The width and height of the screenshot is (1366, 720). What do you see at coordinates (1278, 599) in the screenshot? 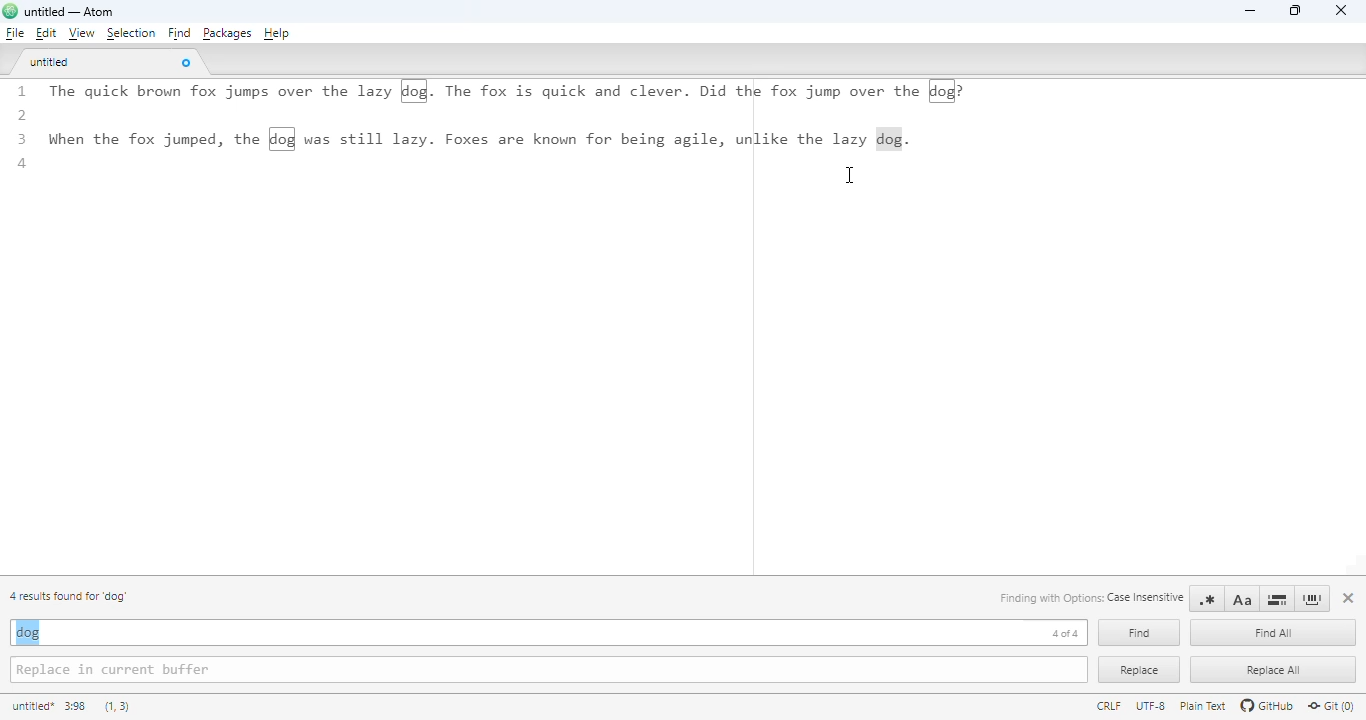
I see `only in selection` at bounding box center [1278, 599].